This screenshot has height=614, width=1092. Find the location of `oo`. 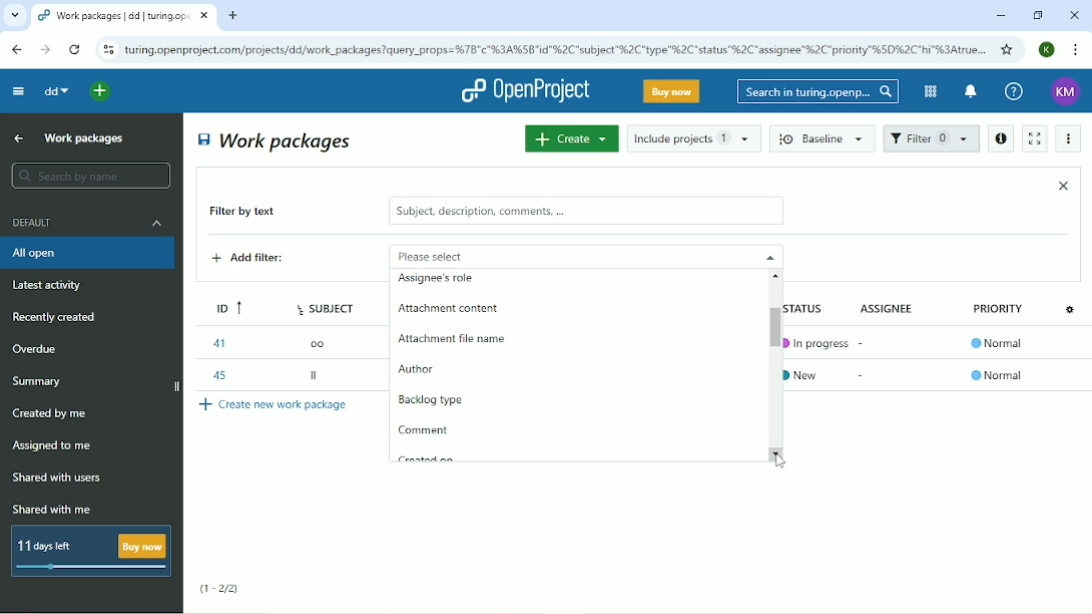

oo is located at coordinates (323, 342).